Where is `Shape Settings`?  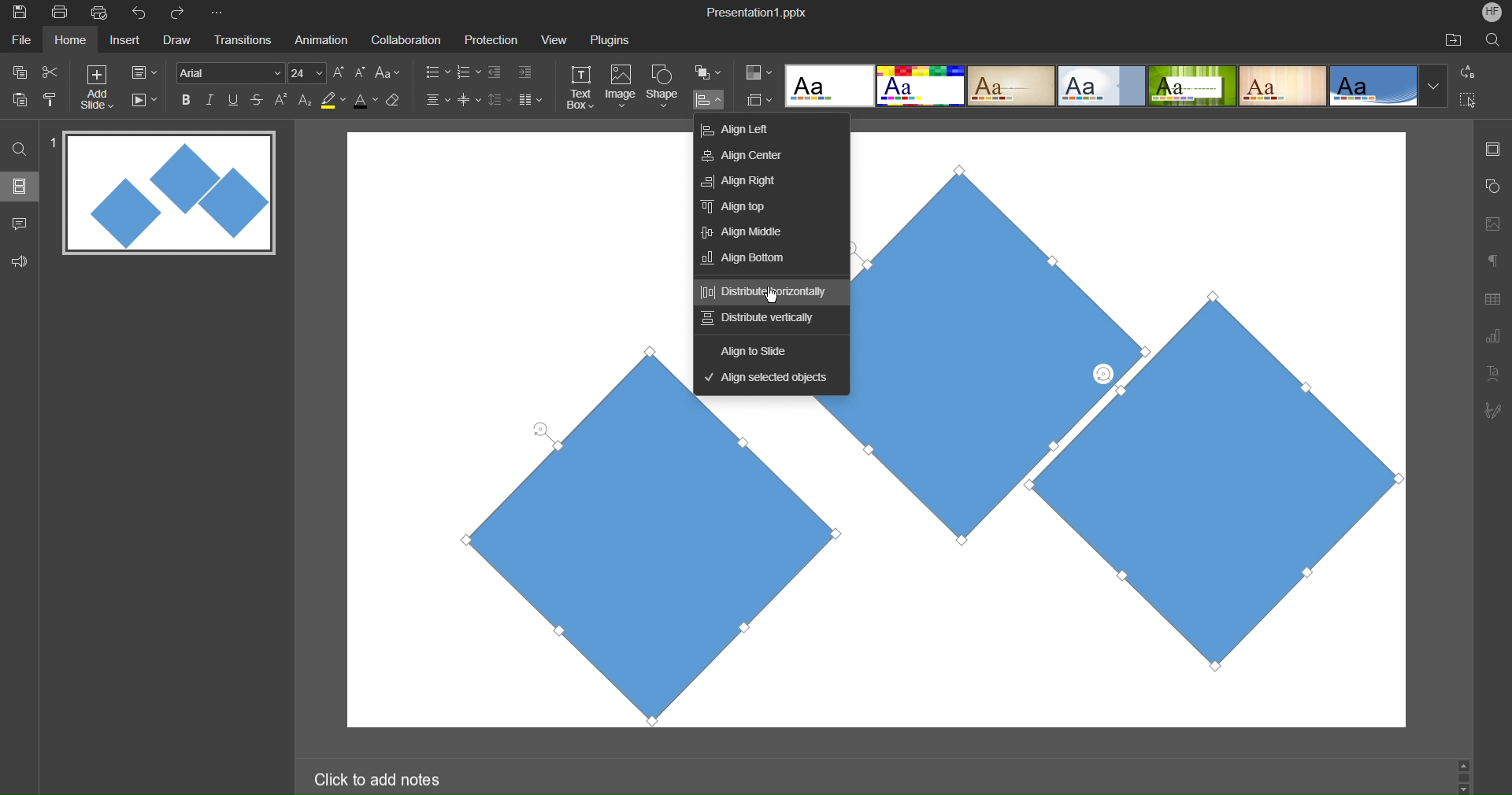 Shape Settings is located at coordinates (1492, 187).